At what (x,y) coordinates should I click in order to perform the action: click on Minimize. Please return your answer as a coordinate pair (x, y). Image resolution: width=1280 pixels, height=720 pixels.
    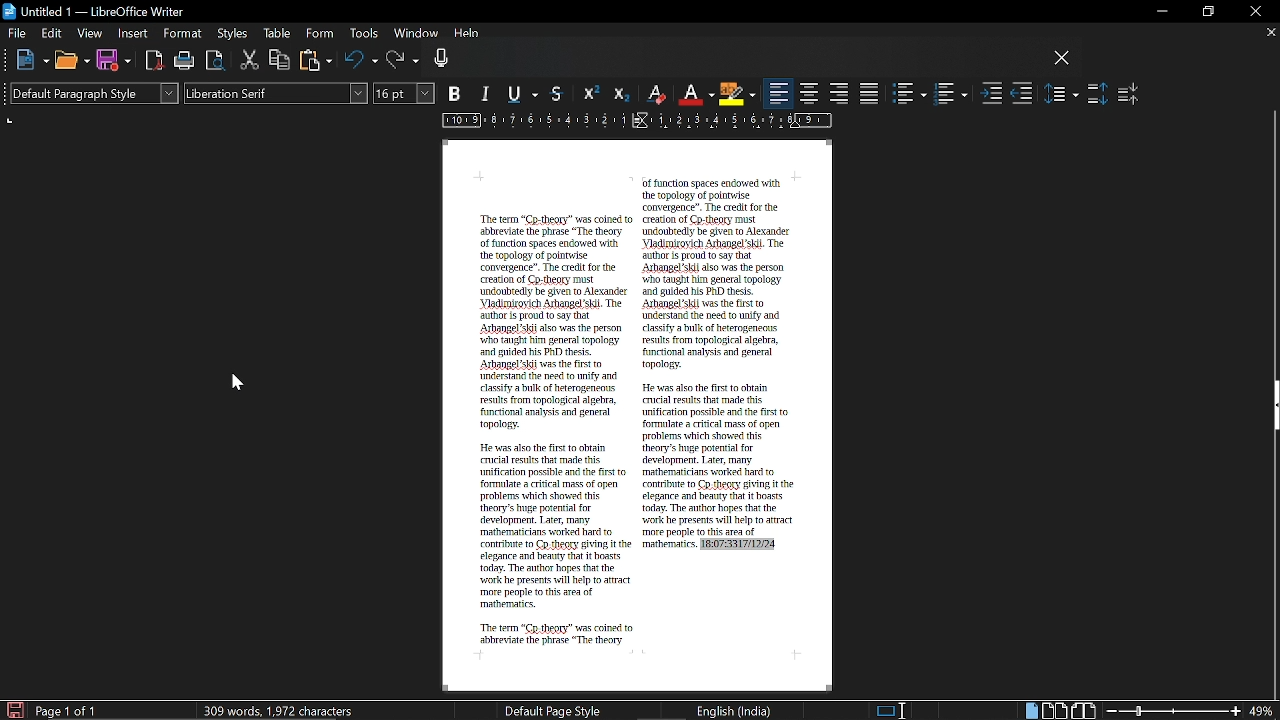
    Looking at the image, I should click on (1158, 12).